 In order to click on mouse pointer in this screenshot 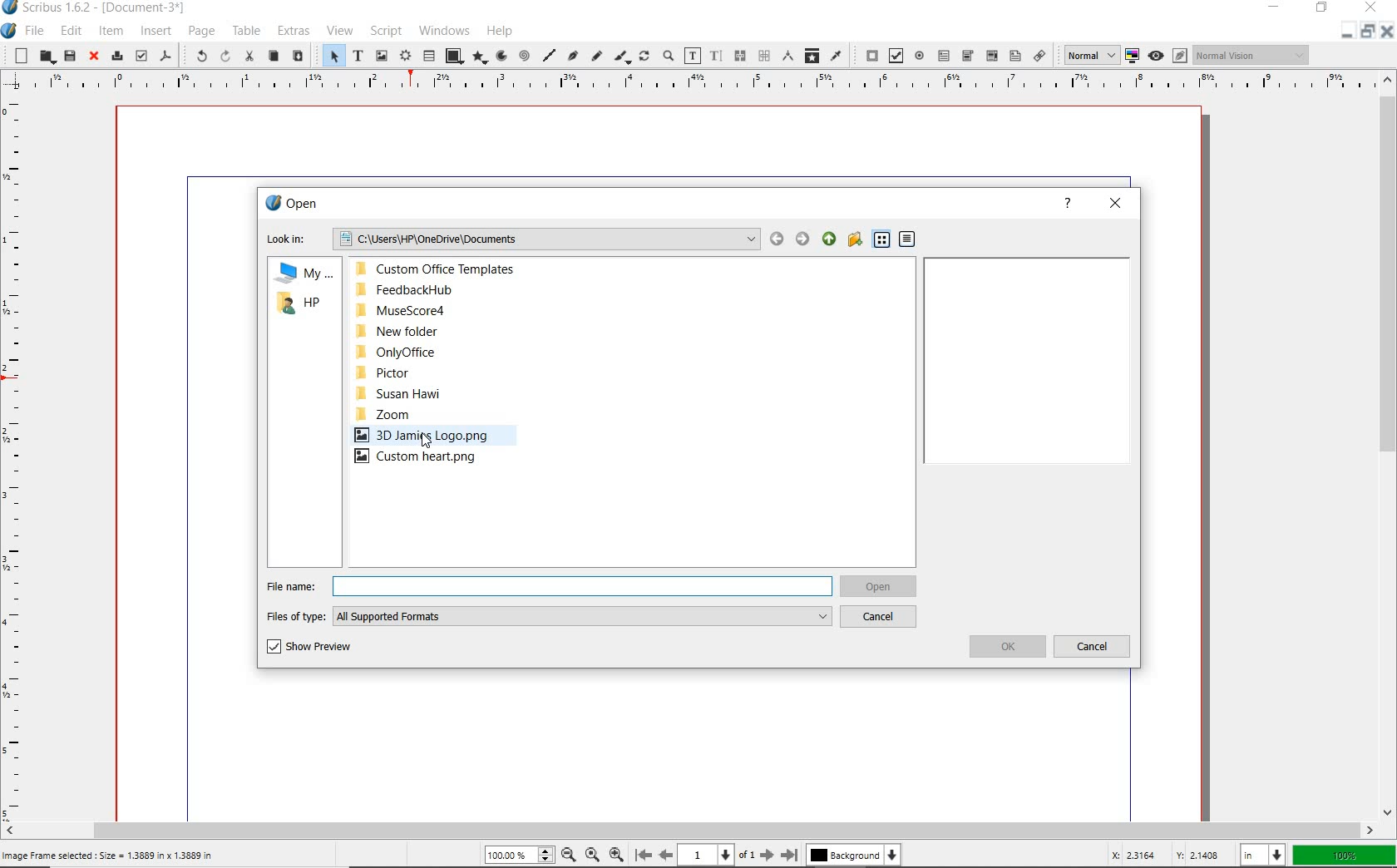, I will do `click(427, 442)`.